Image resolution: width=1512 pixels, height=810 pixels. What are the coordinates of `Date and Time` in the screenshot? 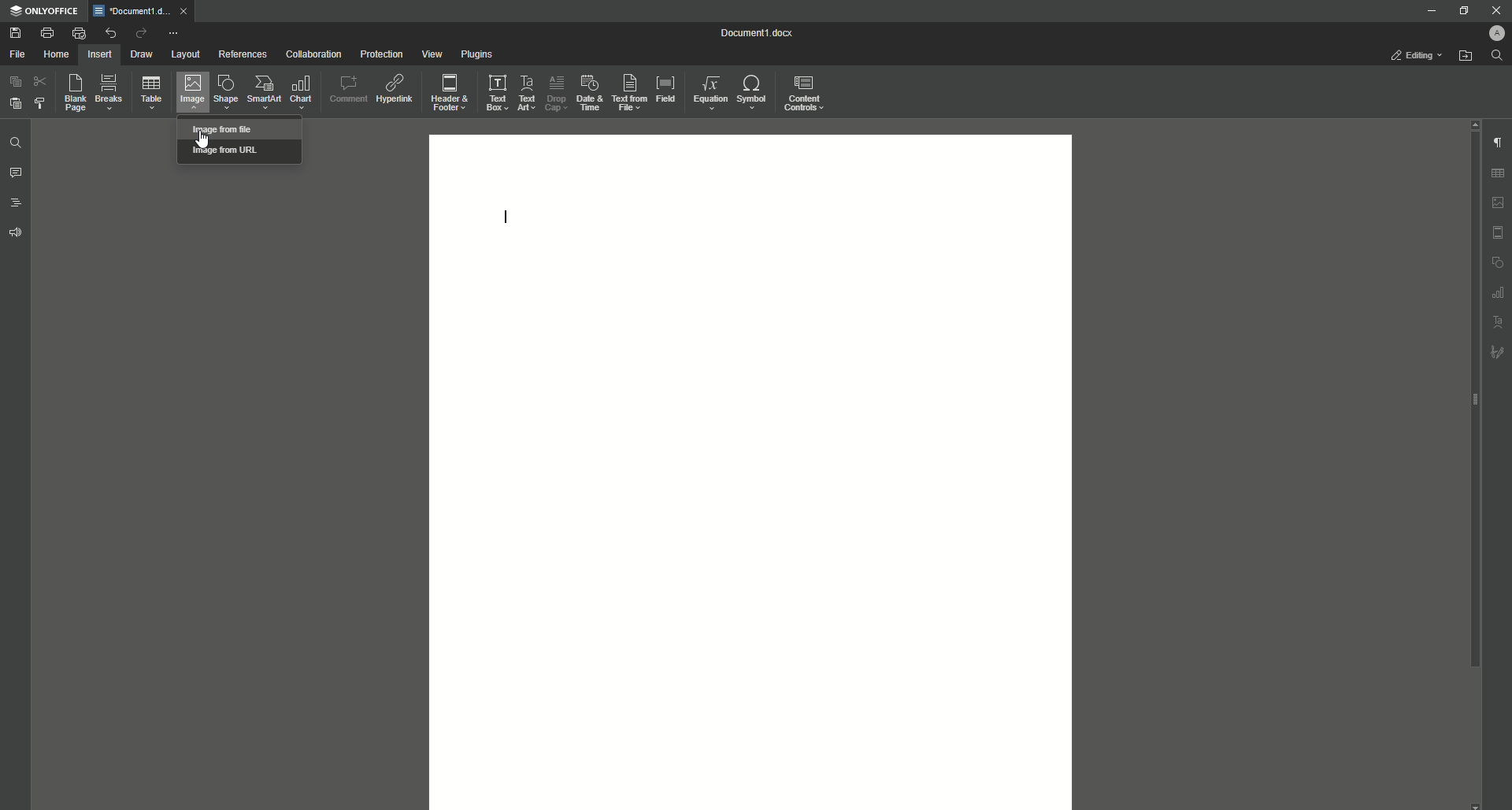 It's located at (589, 92).